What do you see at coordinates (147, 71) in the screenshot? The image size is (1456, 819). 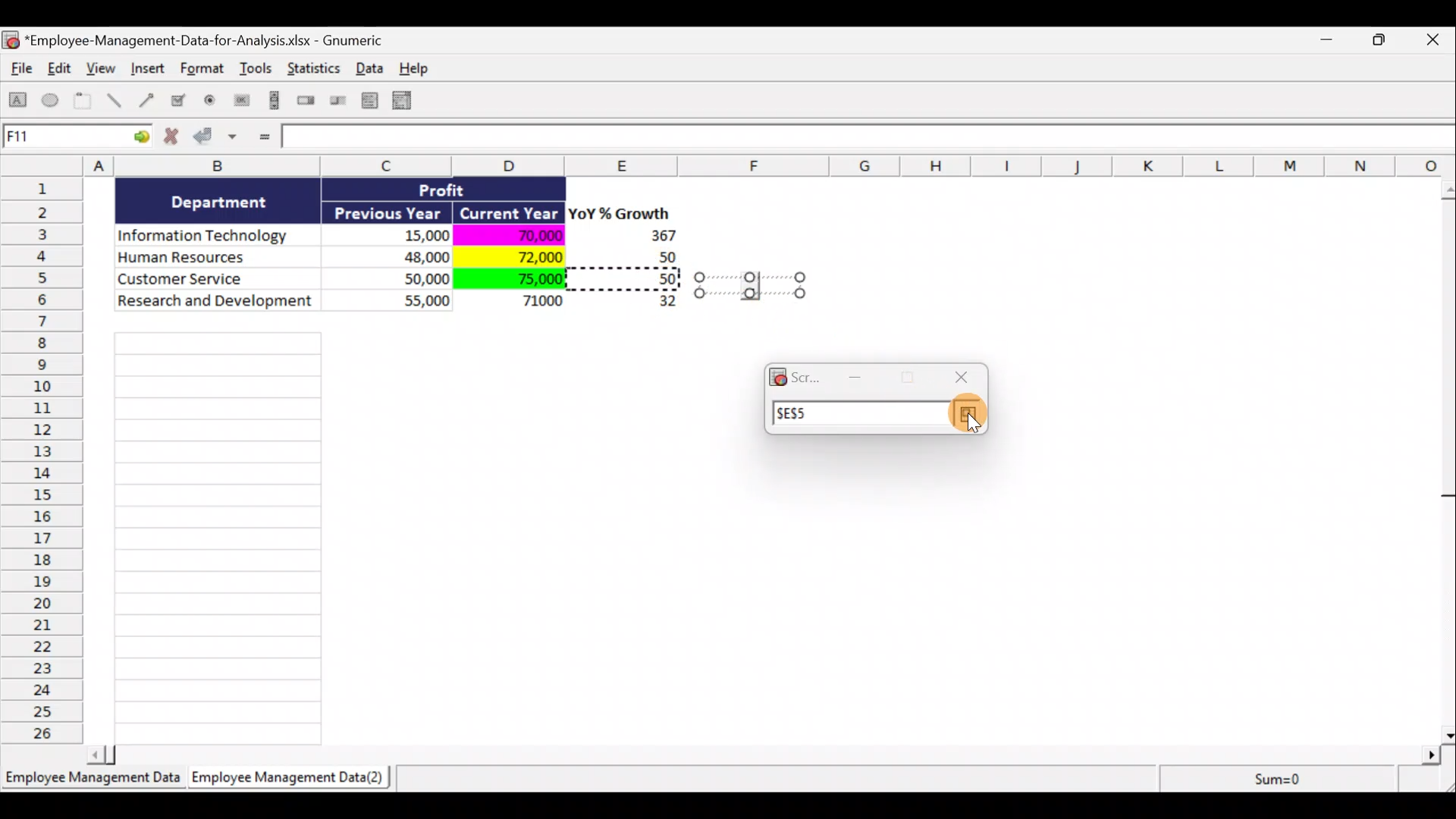 I see `Insert` at bounding box center [147, 71].